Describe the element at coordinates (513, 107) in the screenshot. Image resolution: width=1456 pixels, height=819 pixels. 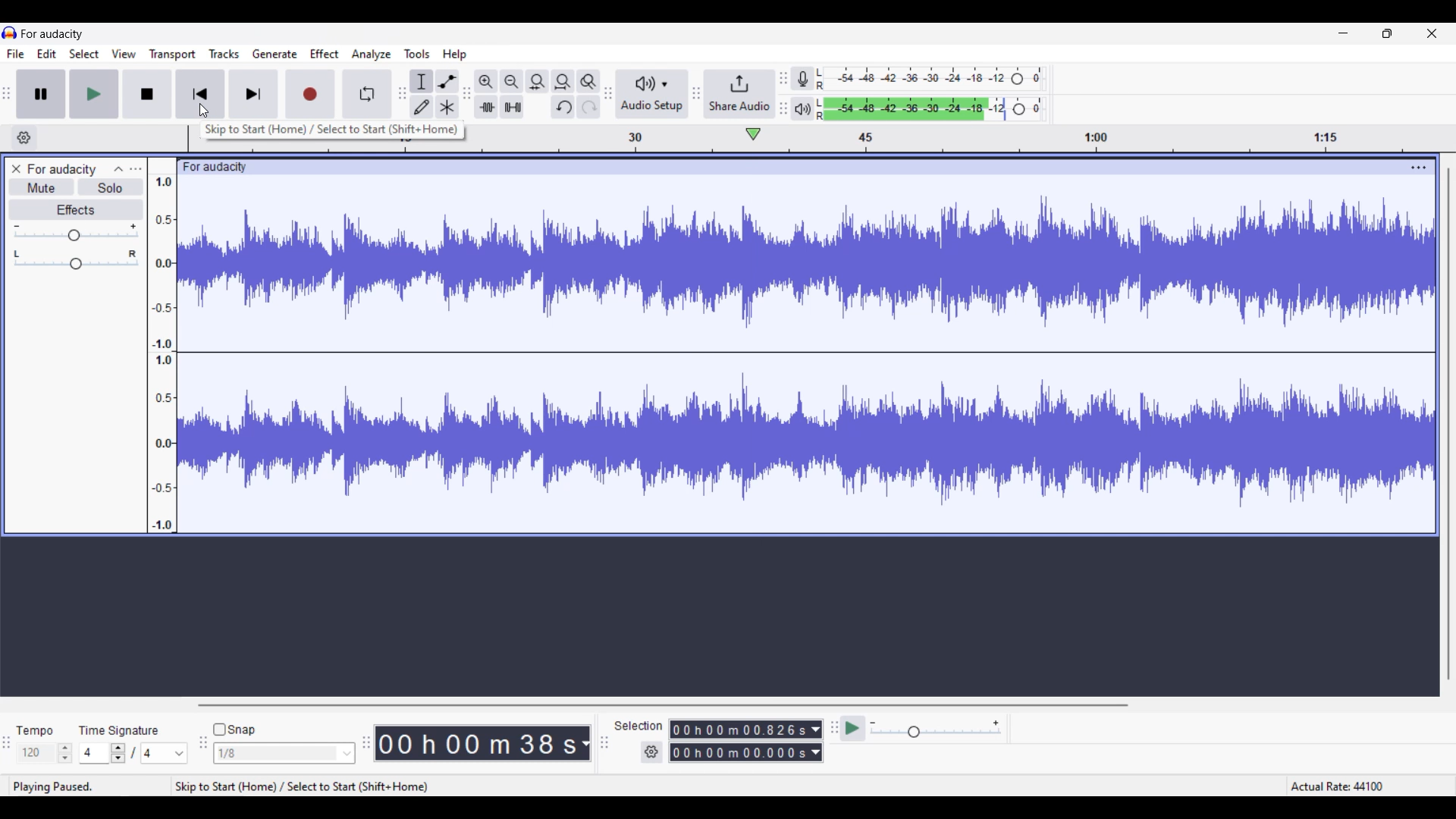
I see `Silence audio selection` at that location.